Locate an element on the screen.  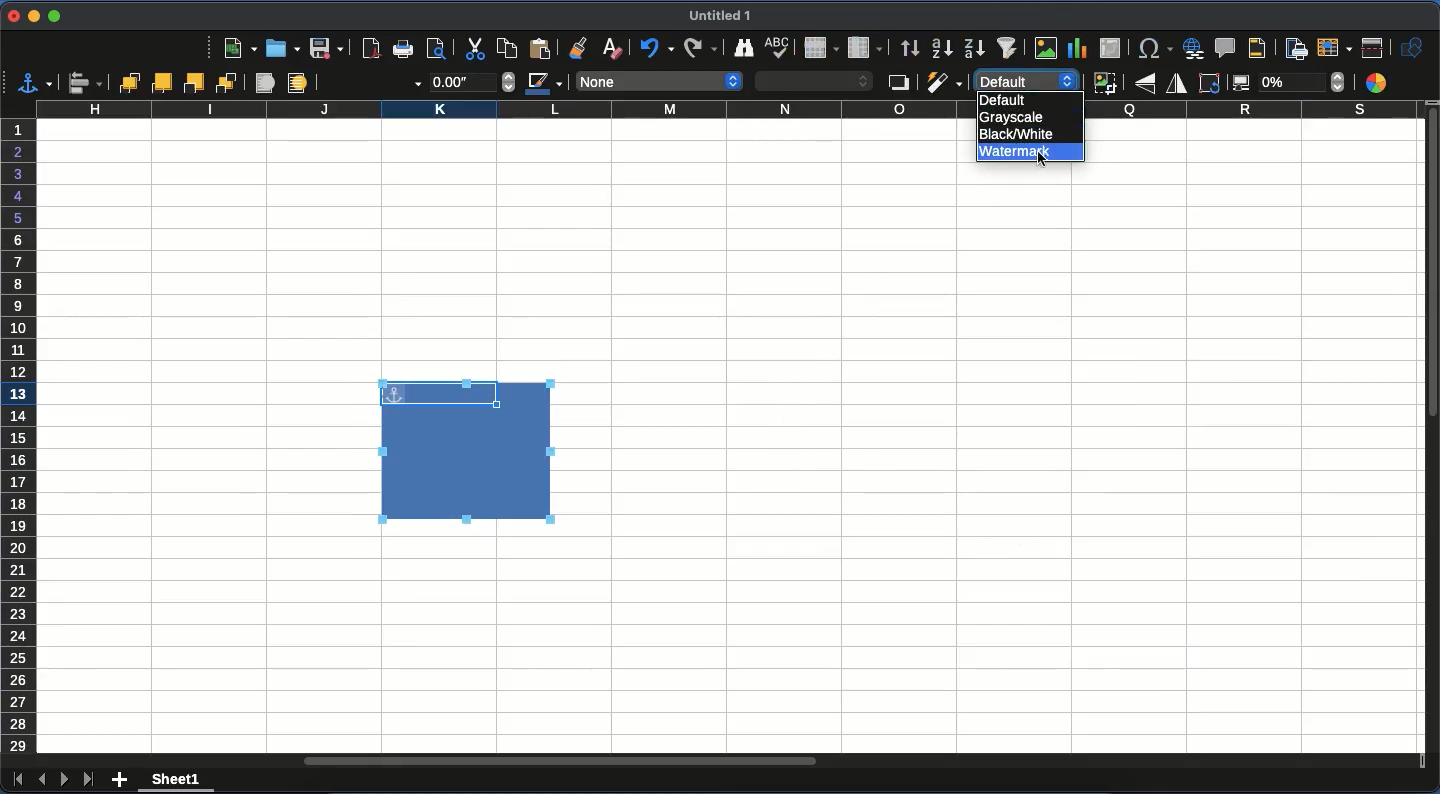
autofilter is located at coordinates (1011, 48).